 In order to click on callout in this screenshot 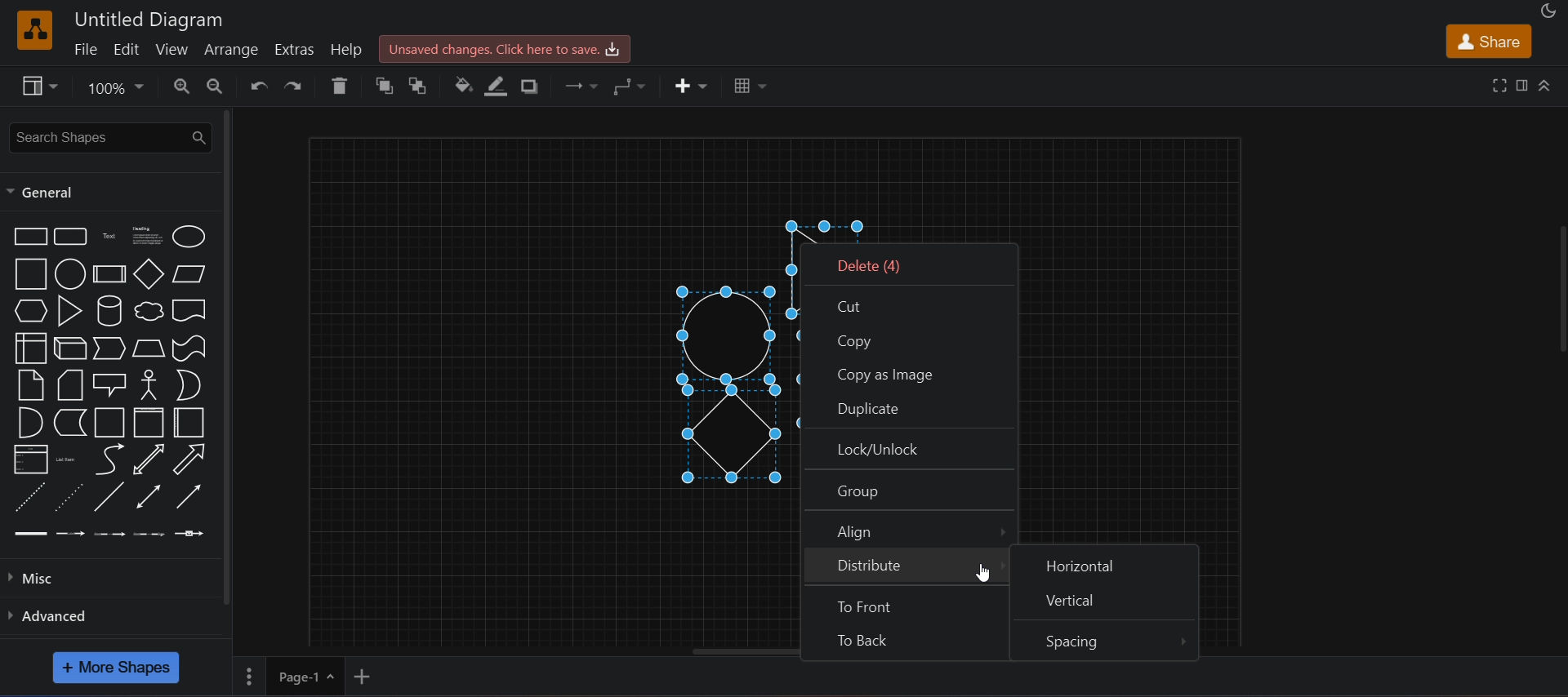, I will do `click(109, 383)`.